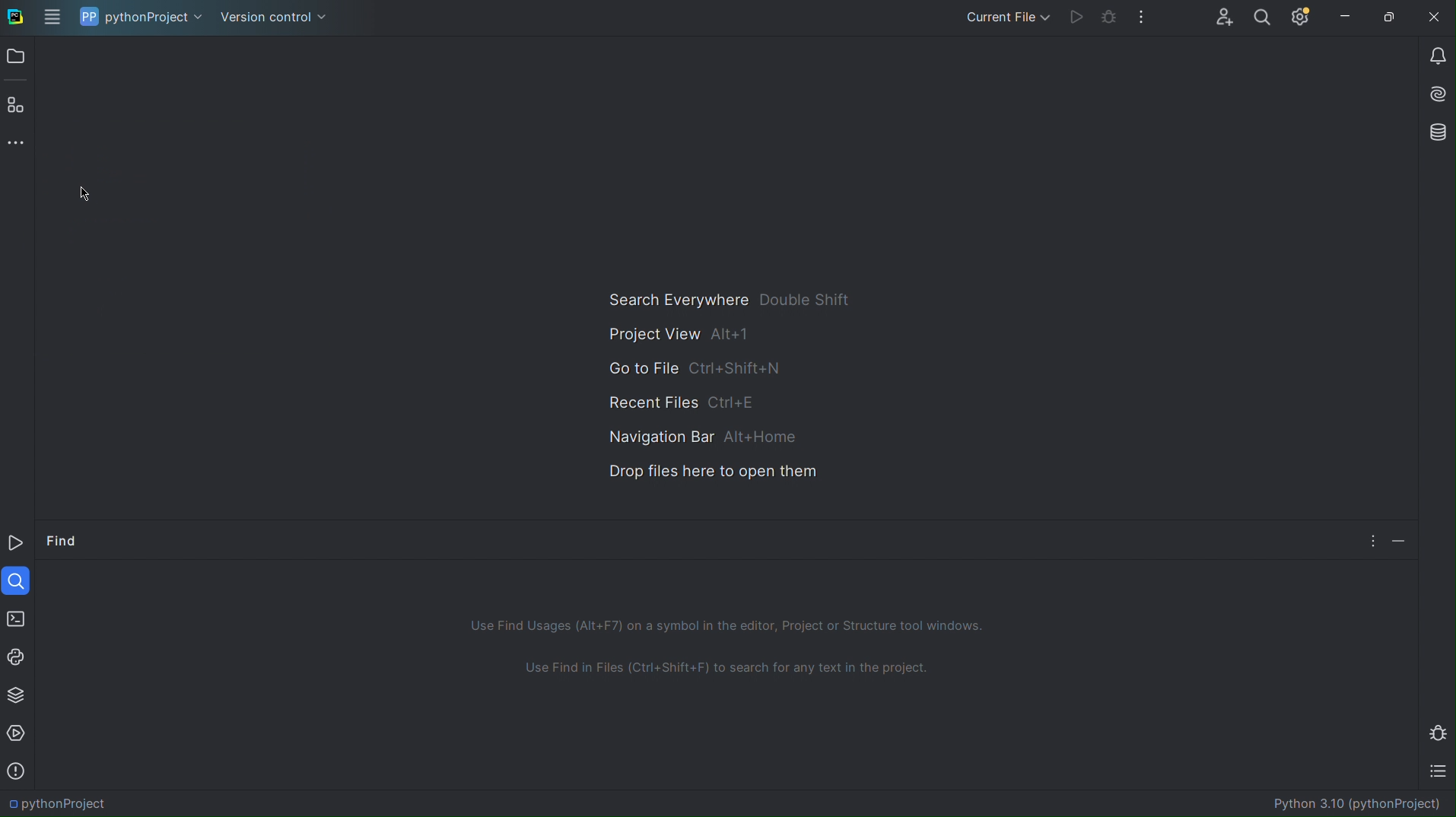 Image resolution: width=1456 pixels, height=817 pixels. I want to click on Application Menu, so click(52, 16).